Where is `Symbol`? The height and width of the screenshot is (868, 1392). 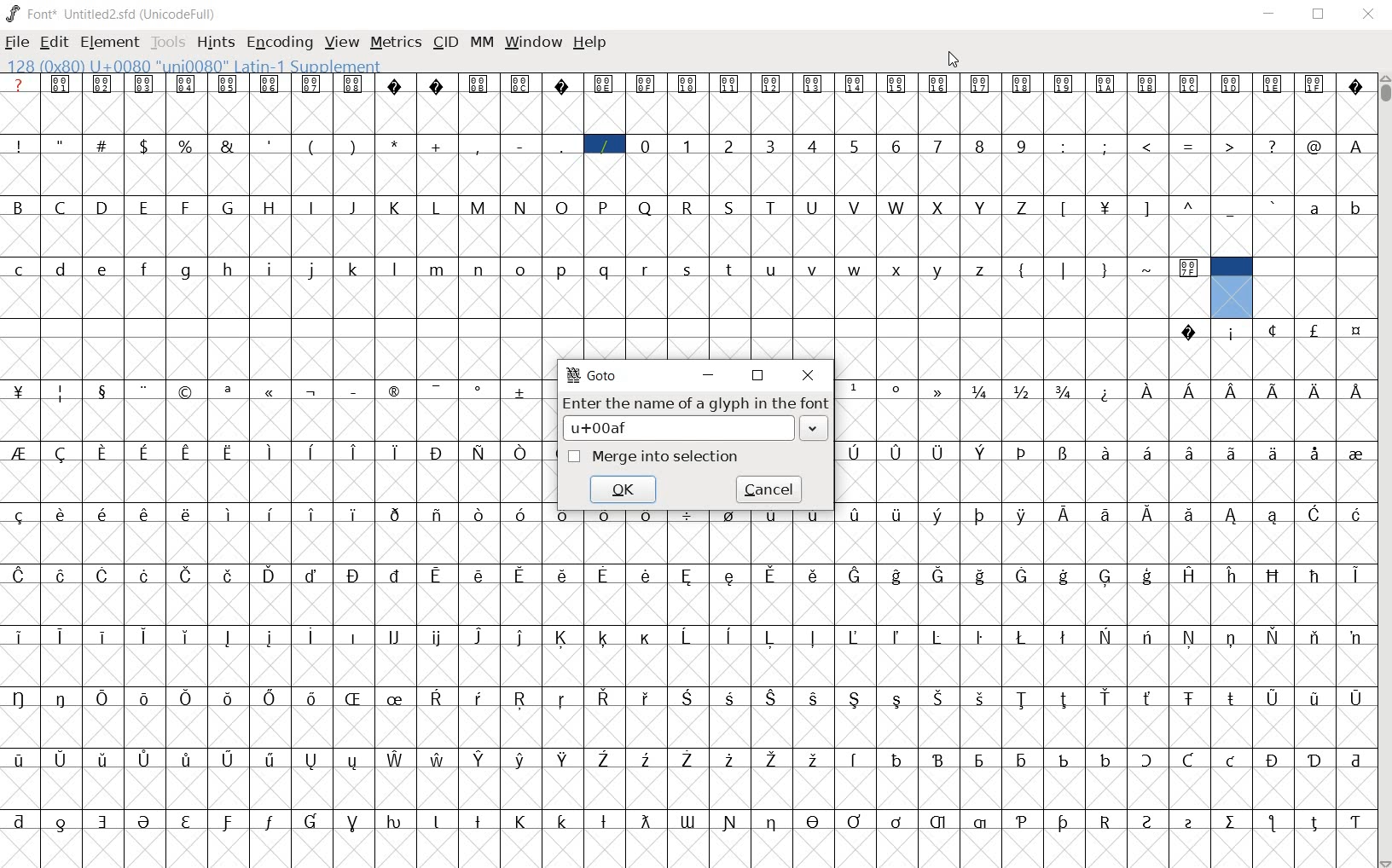 Symbol is located at coordinates (1147, 760).